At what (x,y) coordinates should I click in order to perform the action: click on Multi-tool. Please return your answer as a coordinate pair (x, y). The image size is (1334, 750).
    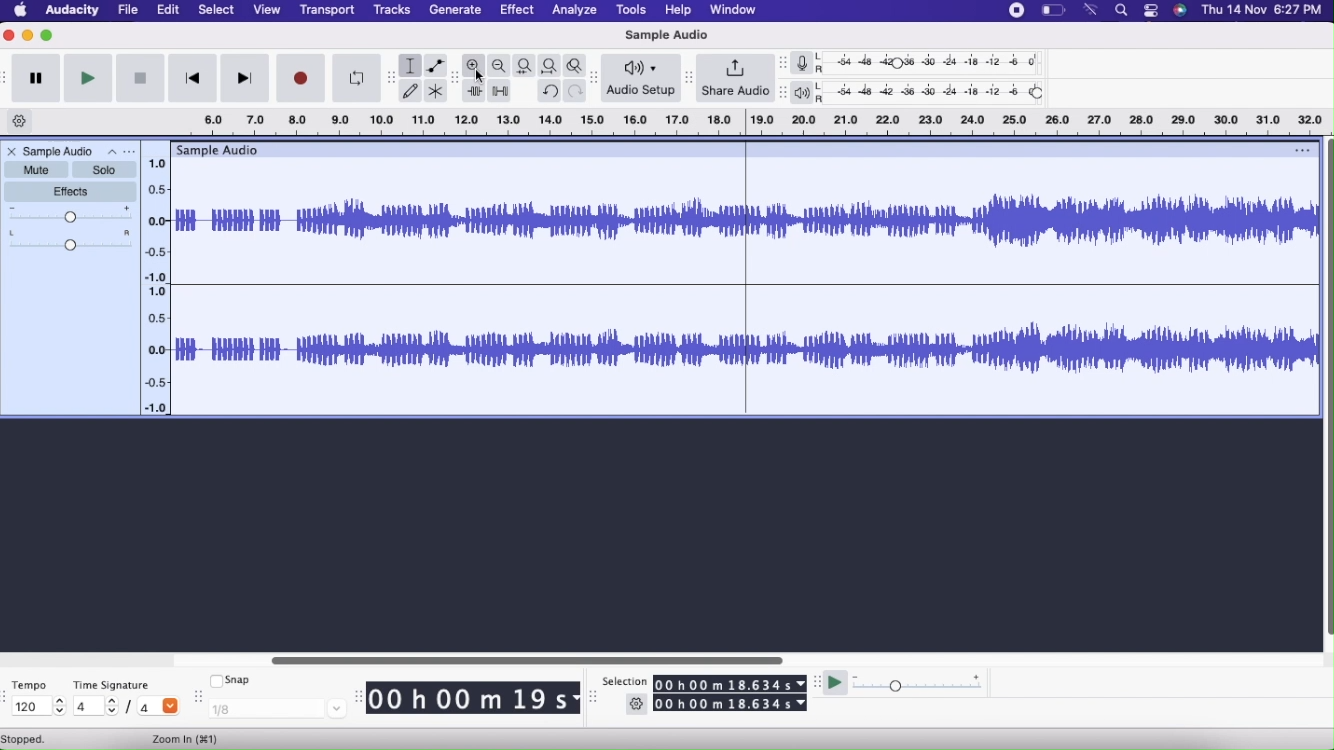
    Looking at the image, I should click on (438, 90).